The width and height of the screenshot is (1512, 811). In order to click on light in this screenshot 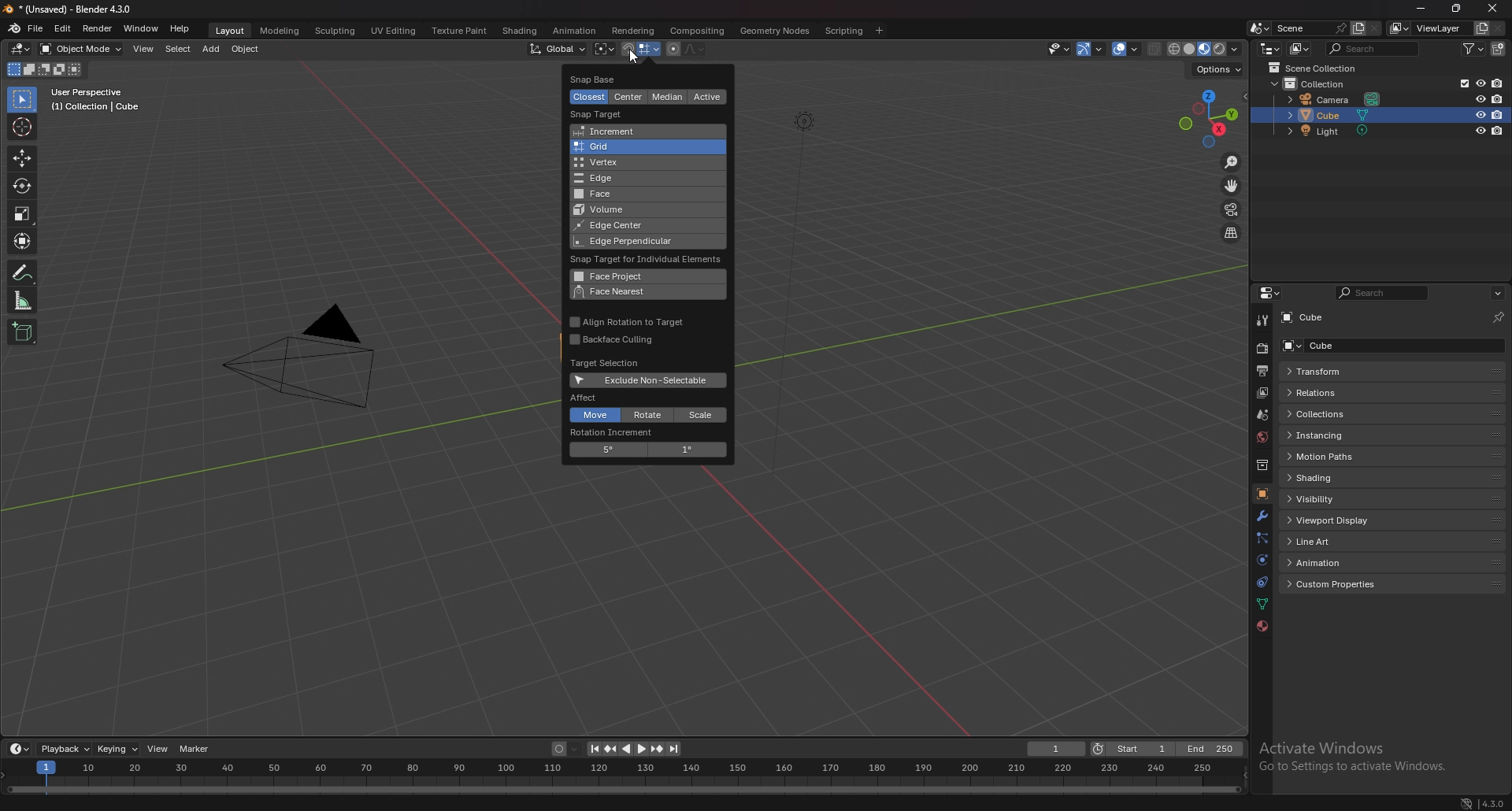, I will do `click(1335, 131)`.